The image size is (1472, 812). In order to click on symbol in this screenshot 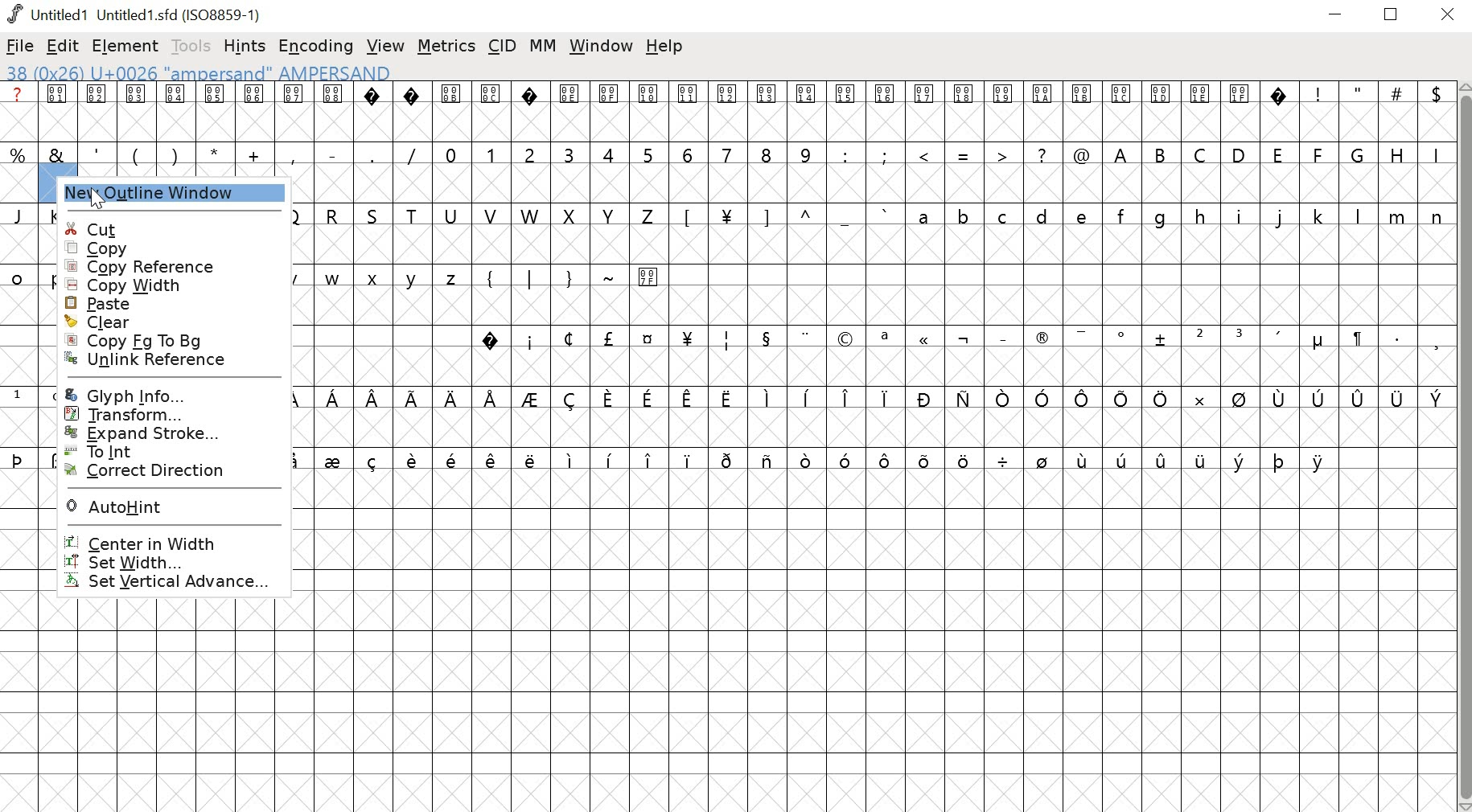, I will do `click(1197, 397)`.